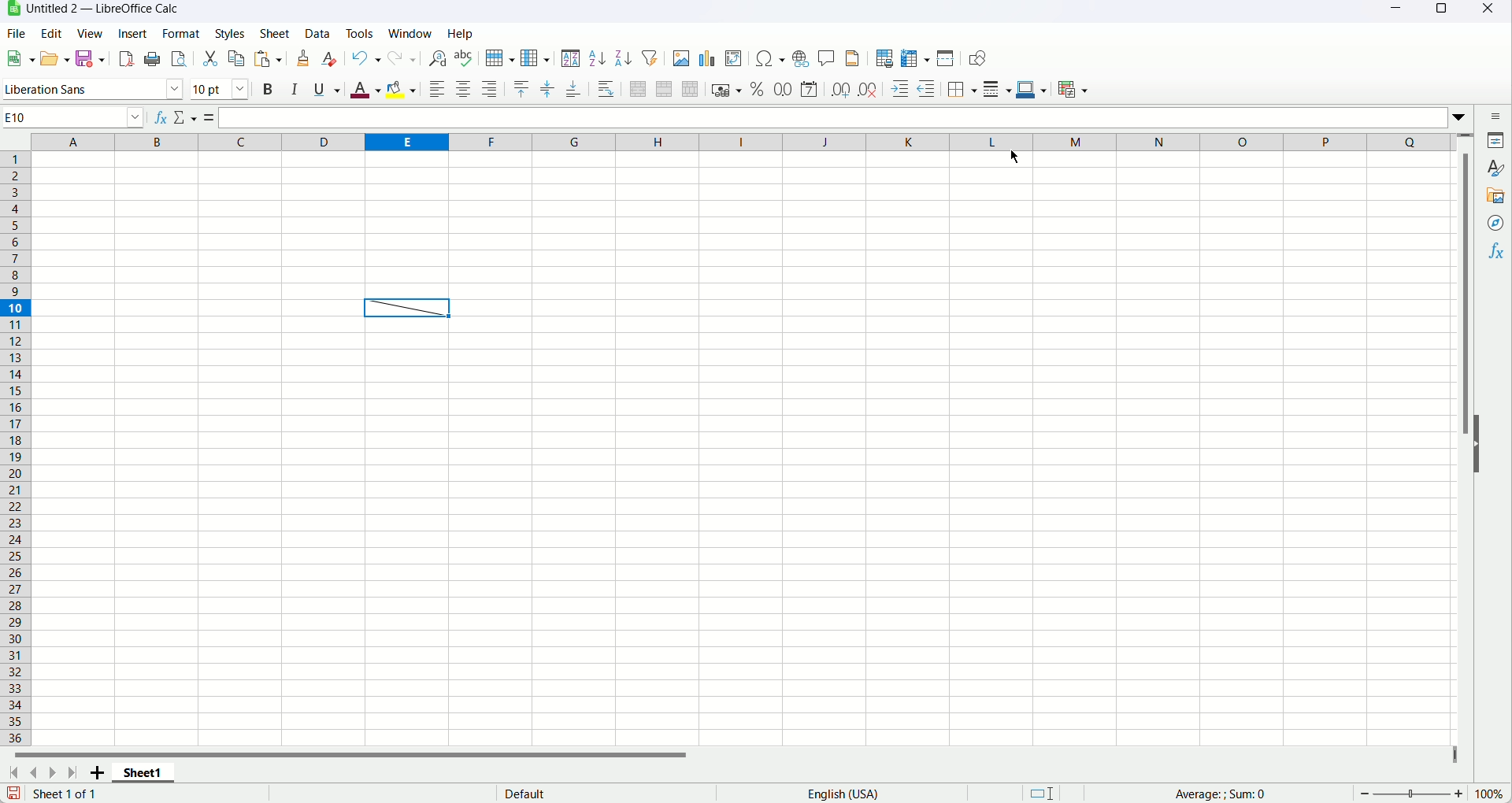  Describe the element at coordinates (212, 117) in the screenshot. I see `Formula` at that location.